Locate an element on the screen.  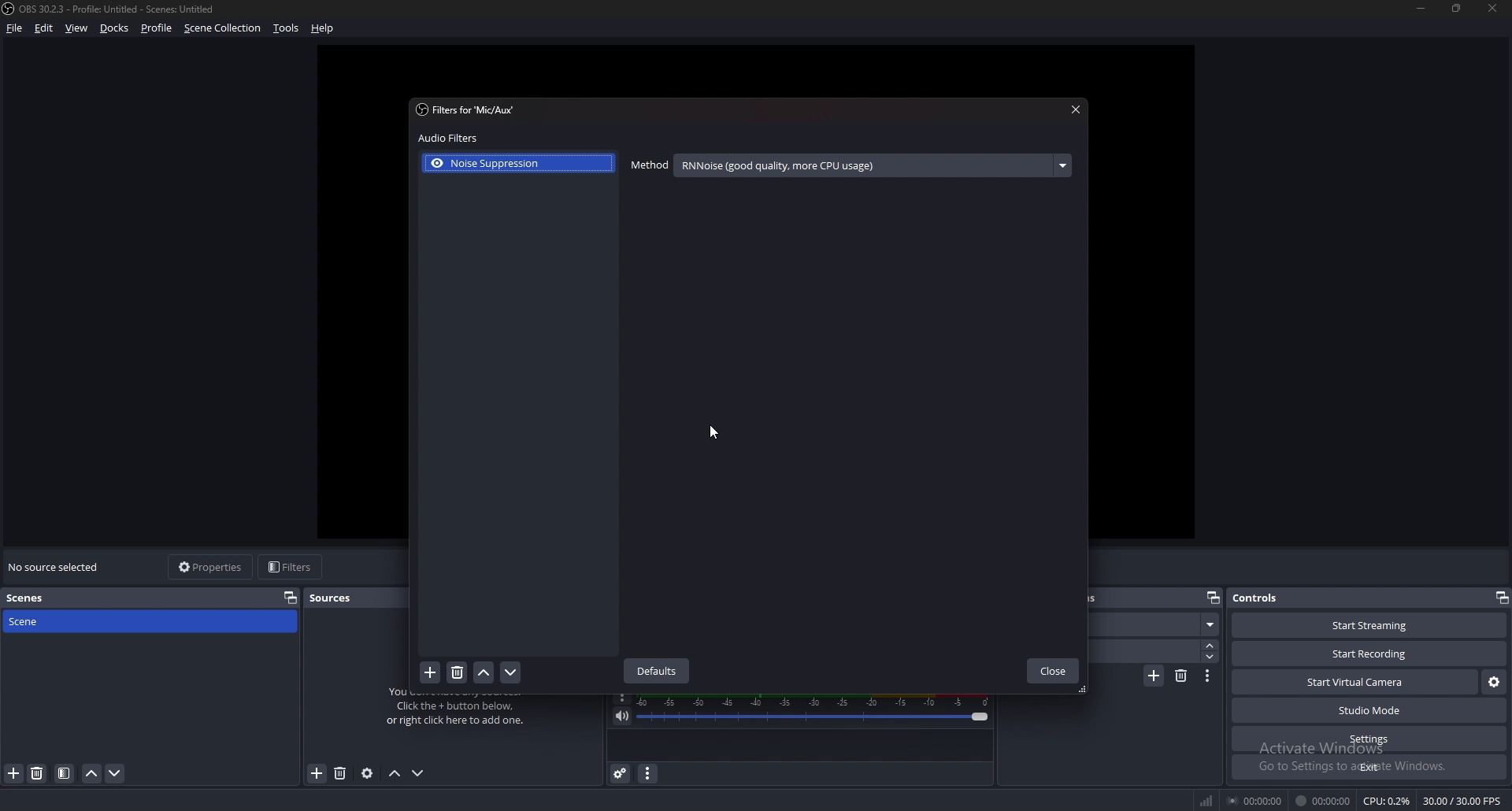
You don't have any sources.
Click the + button below,
or right click here to add one. is located at coordinates (462, 713).